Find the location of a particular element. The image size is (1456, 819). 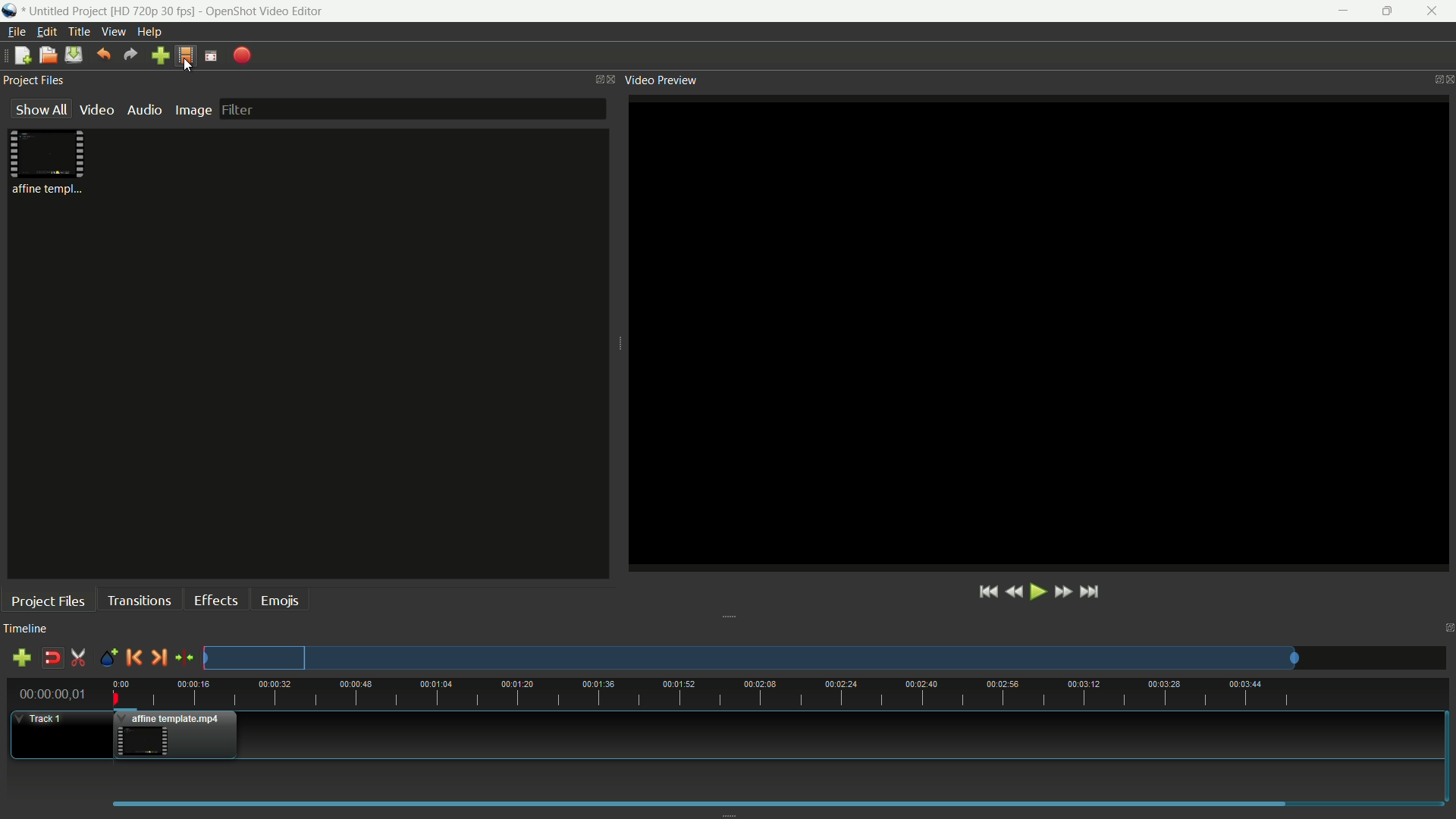

image is located at coordinates (192, 110).